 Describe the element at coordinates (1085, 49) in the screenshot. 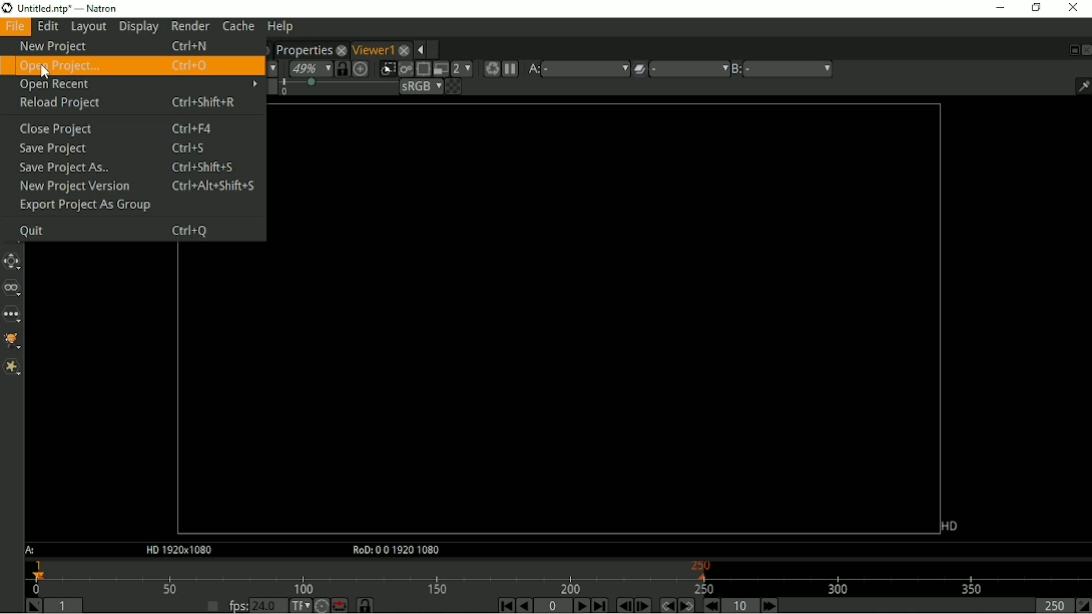

I see `Close` at that location.